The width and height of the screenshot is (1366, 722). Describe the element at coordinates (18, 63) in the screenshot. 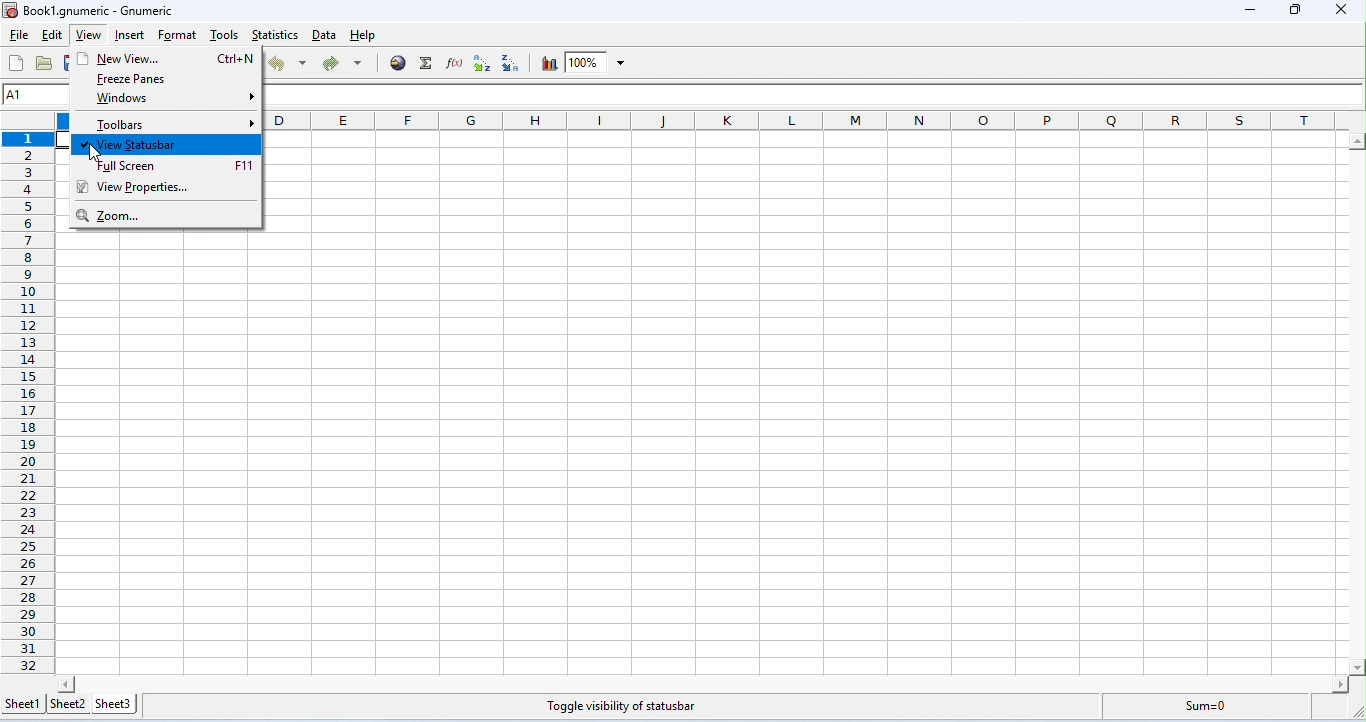

I see `new` at that location.